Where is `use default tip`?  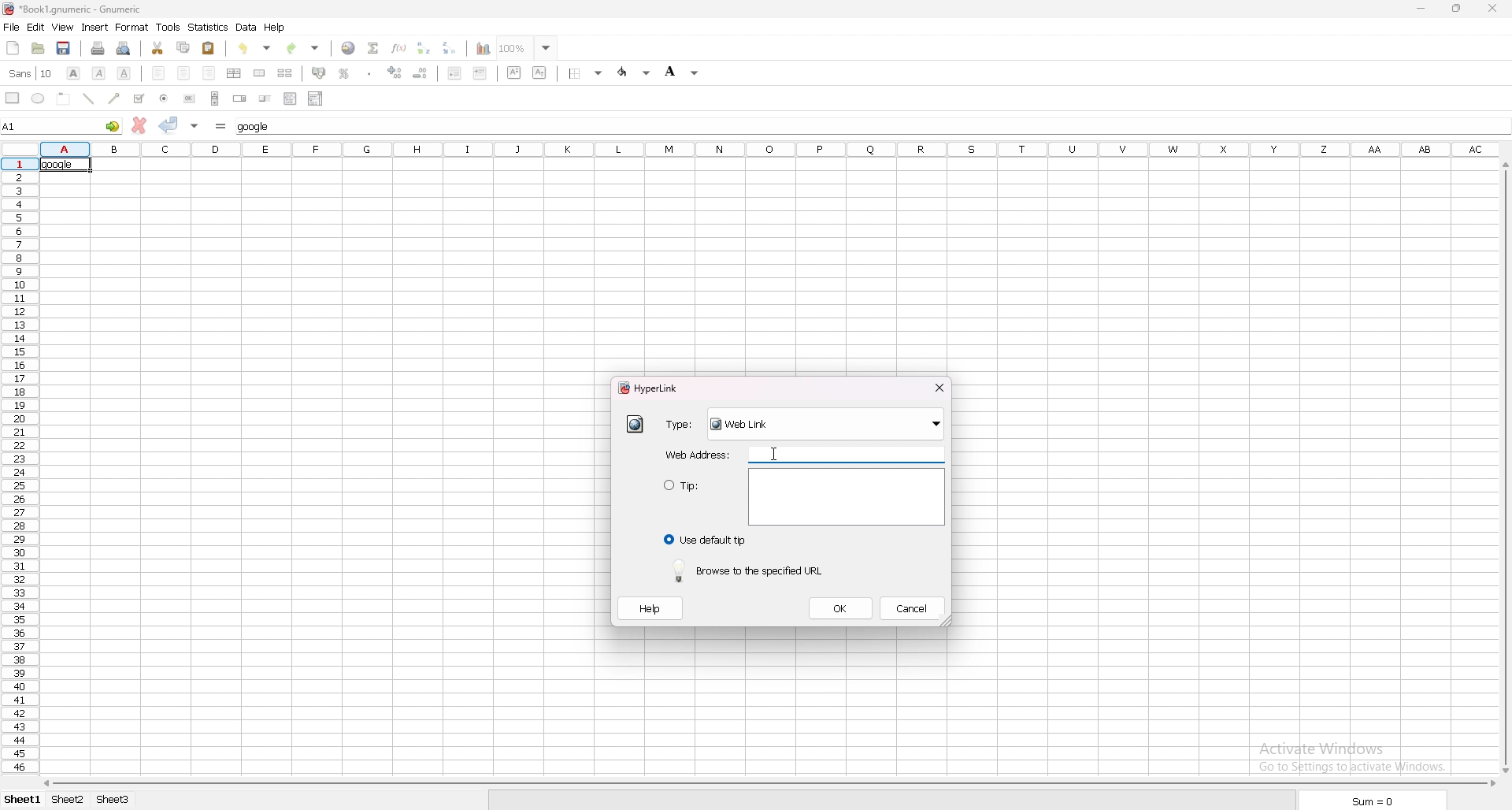
use default tip is located at coordinates (705, 540).